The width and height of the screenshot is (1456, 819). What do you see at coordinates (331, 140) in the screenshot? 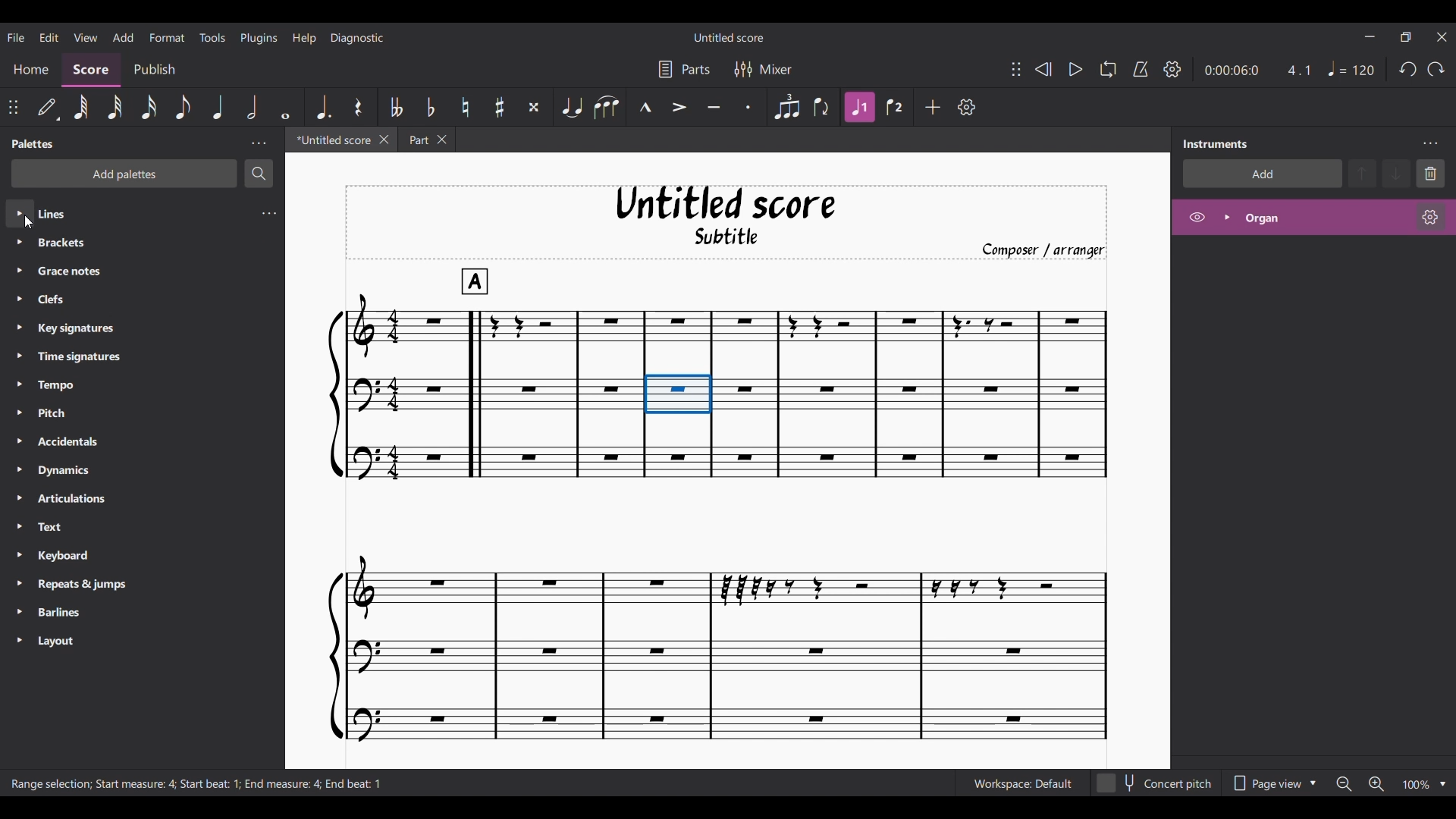
I see `Current tab` at bounding box center [331, 140].